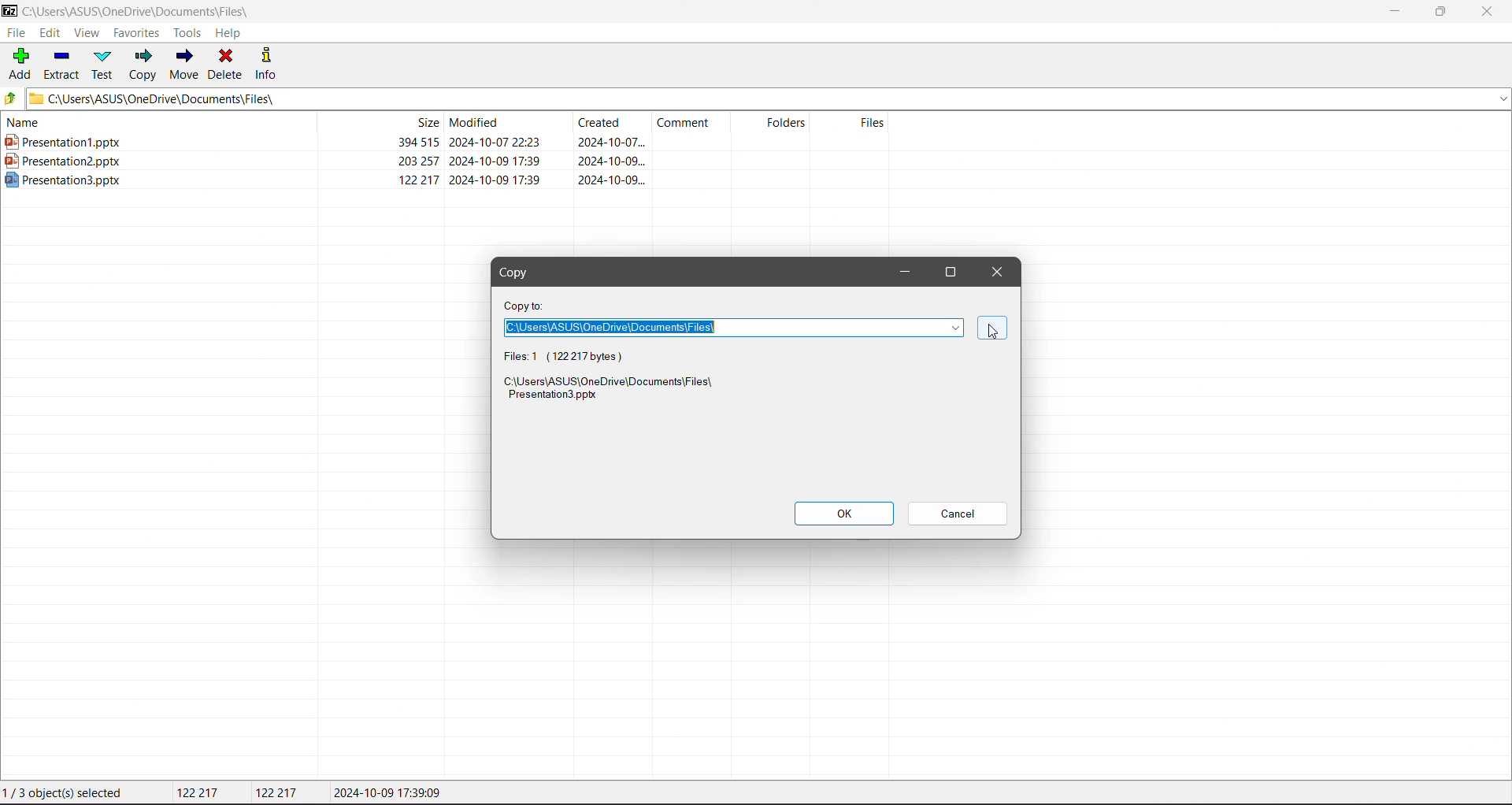 This screenshot has width=1512, height=805. I want to click on Presetation2, so click(325, 161).